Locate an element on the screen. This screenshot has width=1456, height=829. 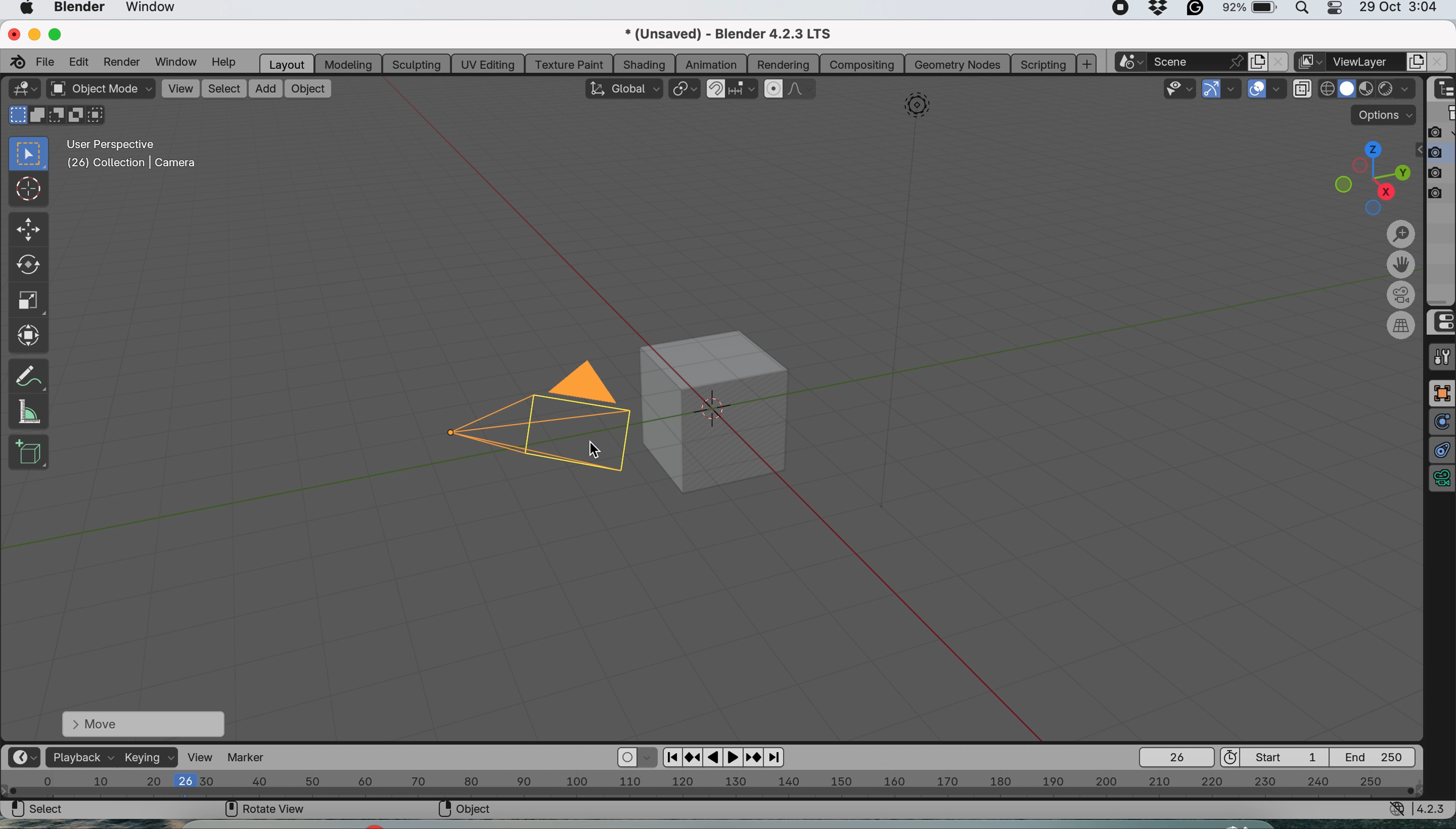
select is located at coordinates (224, 89).